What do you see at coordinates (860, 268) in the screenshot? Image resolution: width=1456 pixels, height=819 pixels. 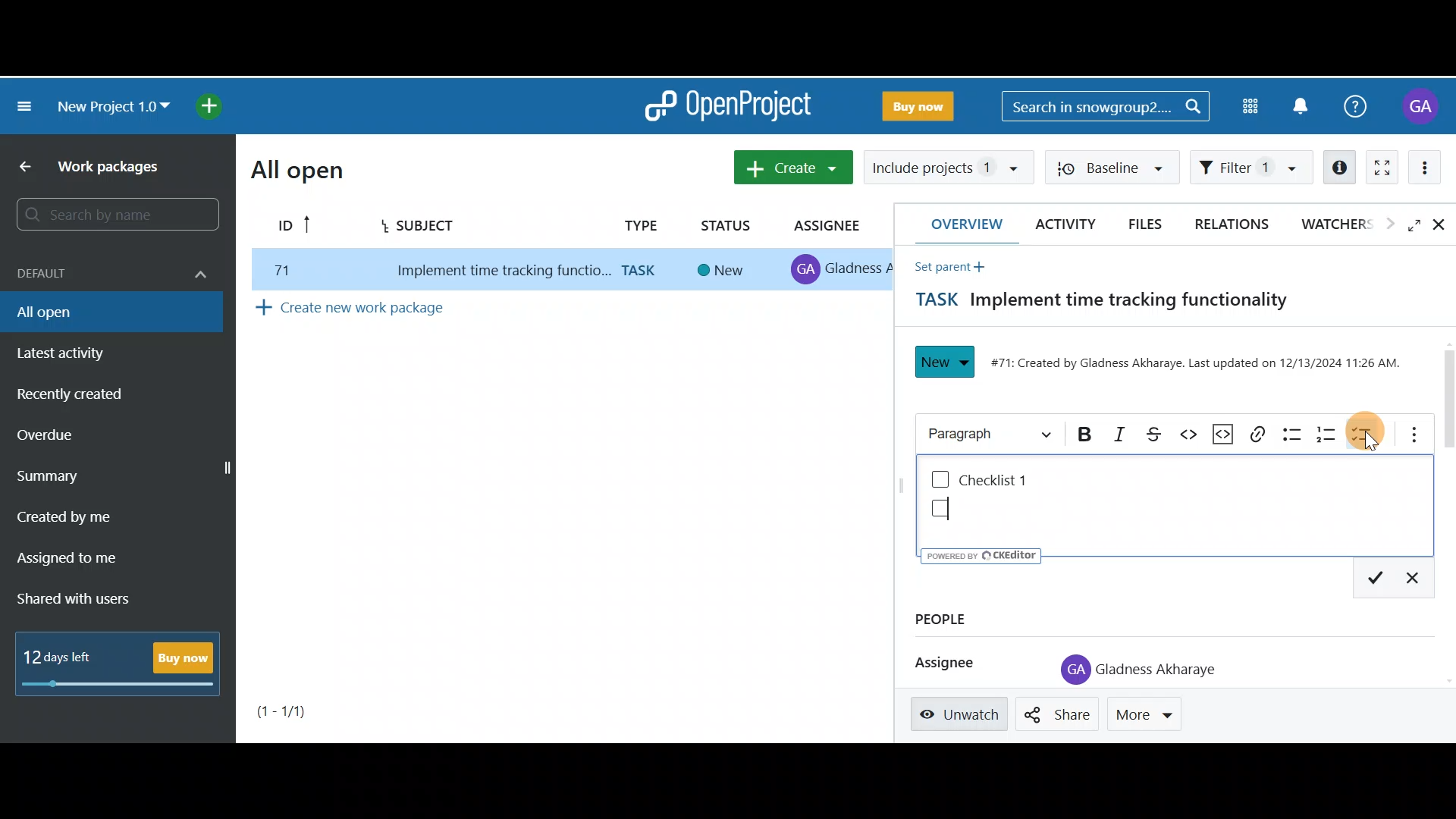 I see `gladness A` at bounding box center [860, 268].